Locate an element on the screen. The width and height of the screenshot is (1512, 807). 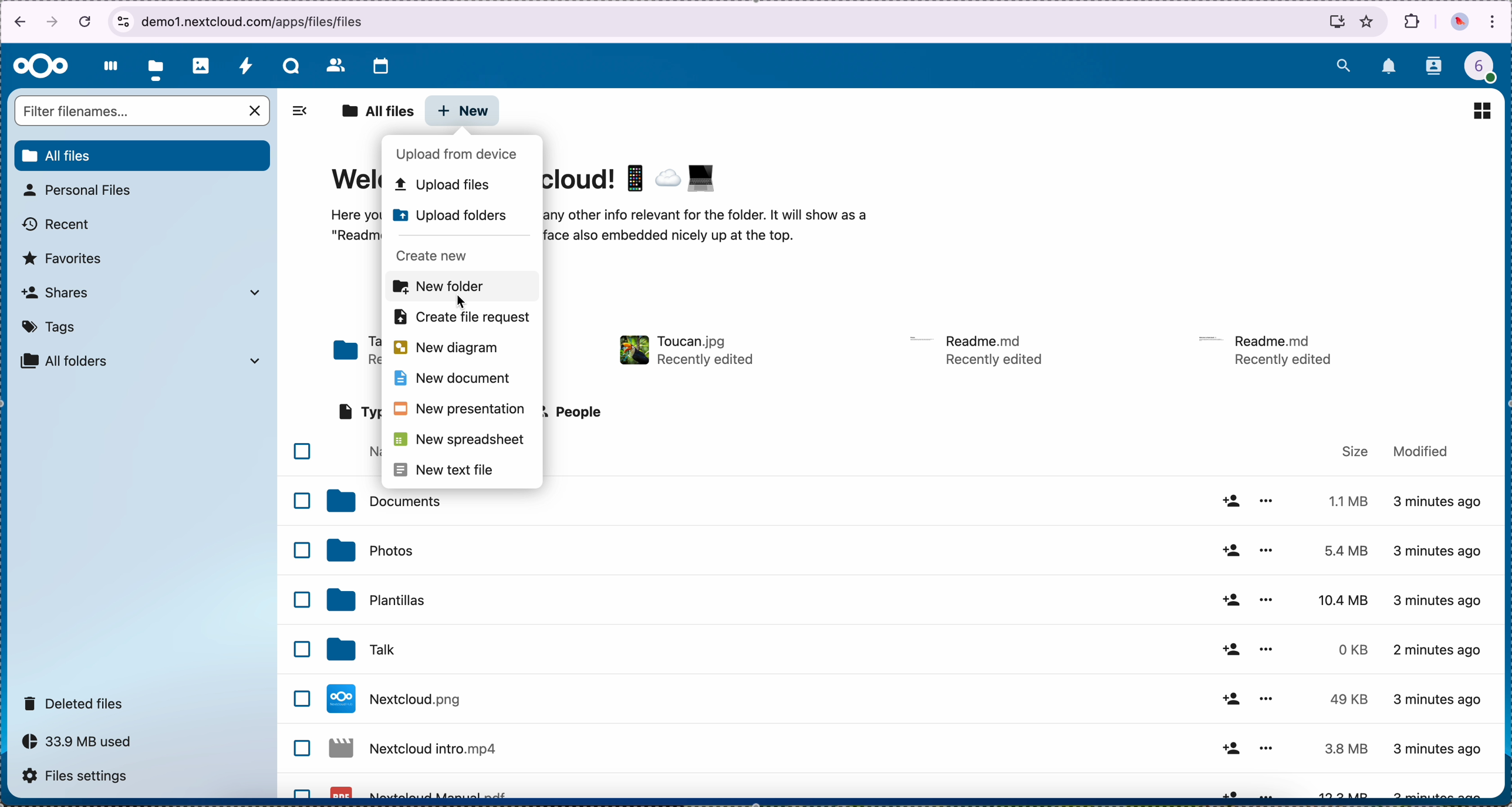
extensions is located at coordinates (1413, 21).